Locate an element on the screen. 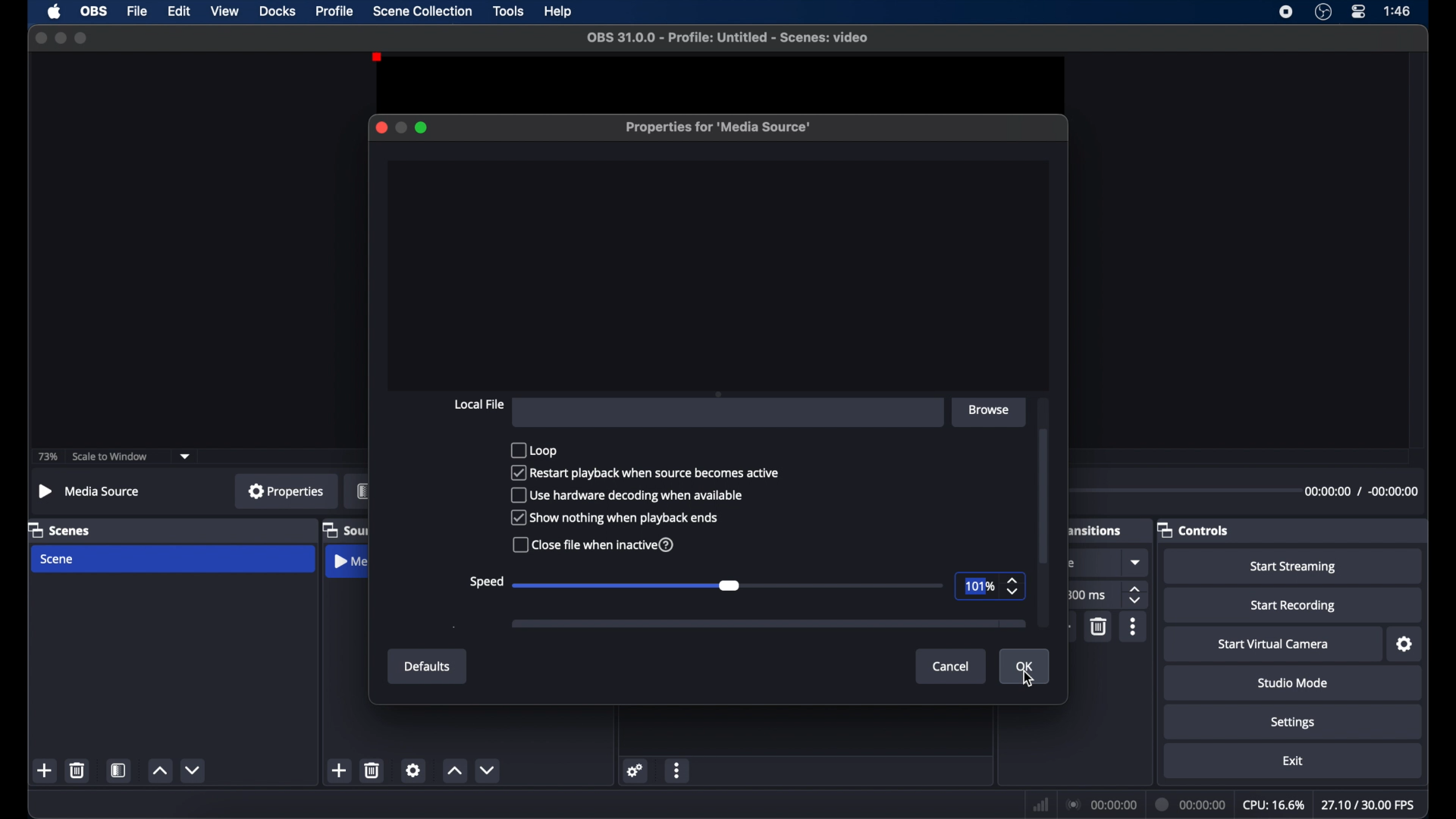 The height and width of the screenshot is (819, 1456). add is located at coordinates (338, 770).